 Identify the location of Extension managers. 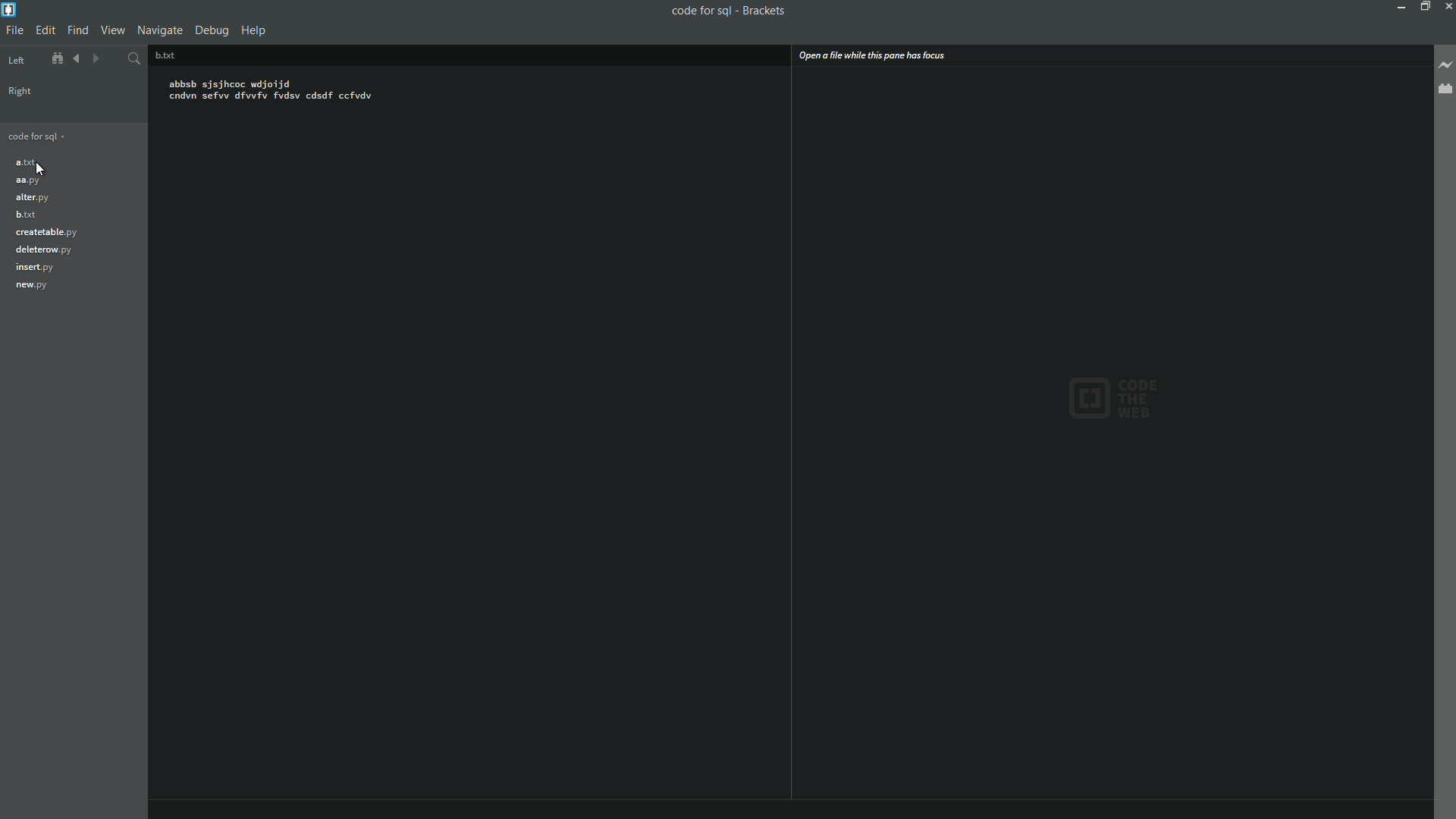
(1444, 91).